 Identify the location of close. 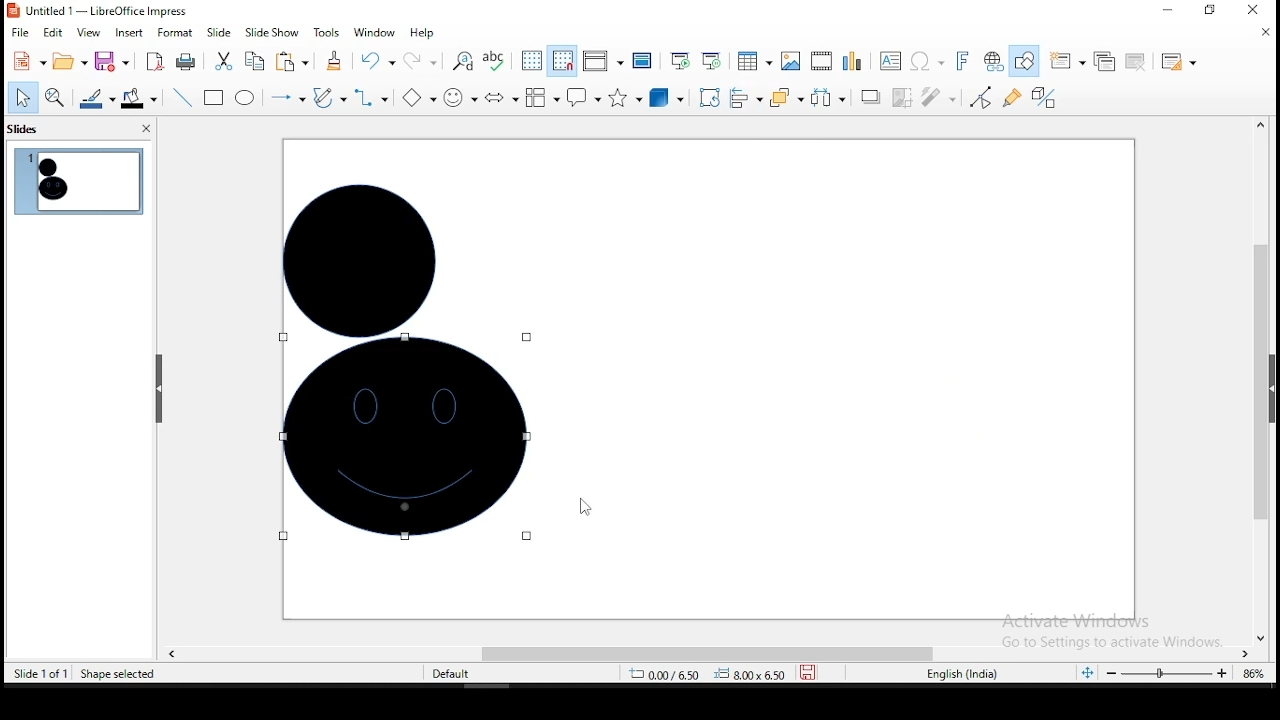
(1261, 32).